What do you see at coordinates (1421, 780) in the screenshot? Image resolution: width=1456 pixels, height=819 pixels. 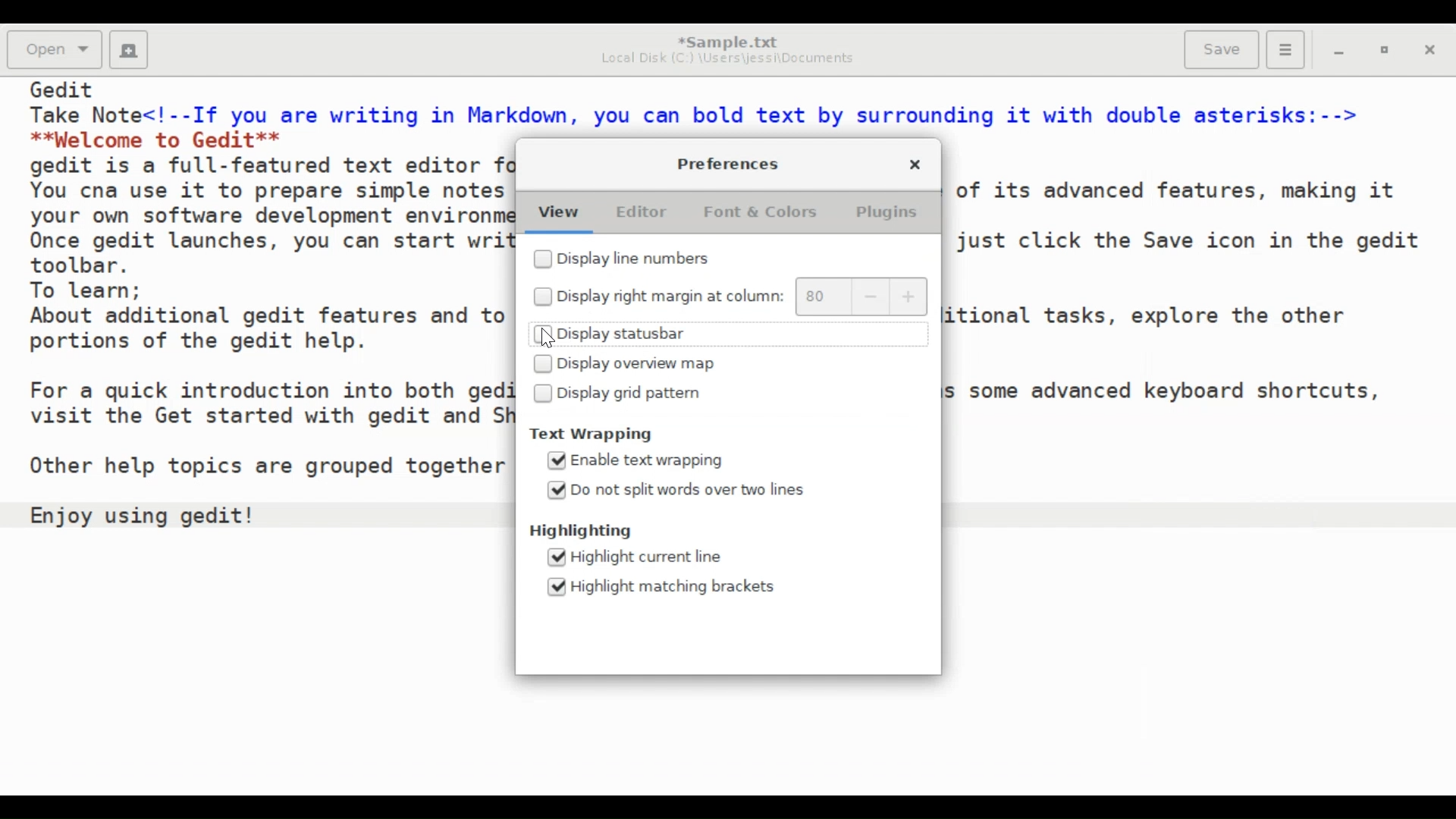 I see `Insert Mode (INS)` at bounding box center [1421, 780].